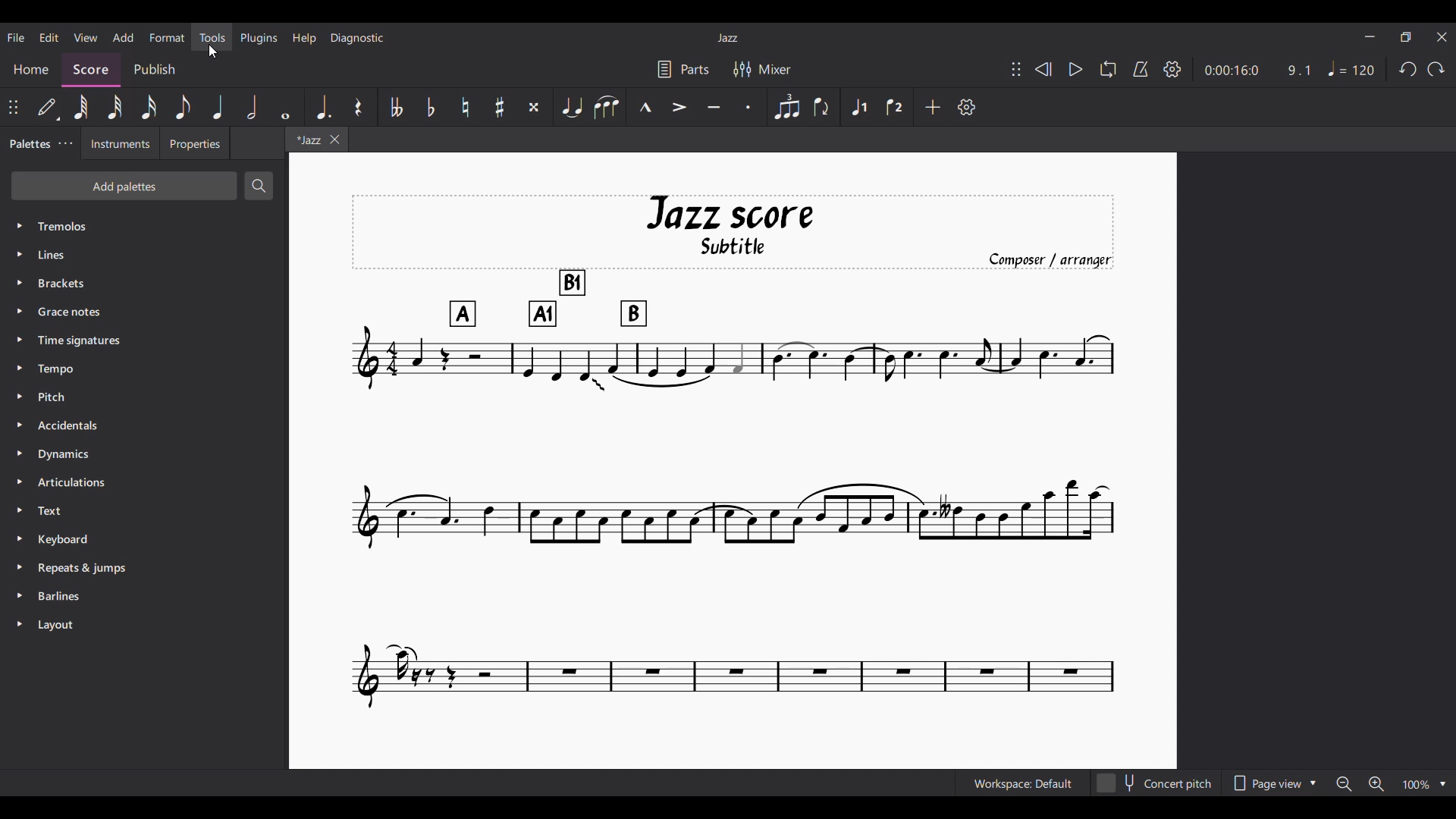 This screenshot has height=819, width=1456. I want to click on Zoom options, so click(1425, 783).